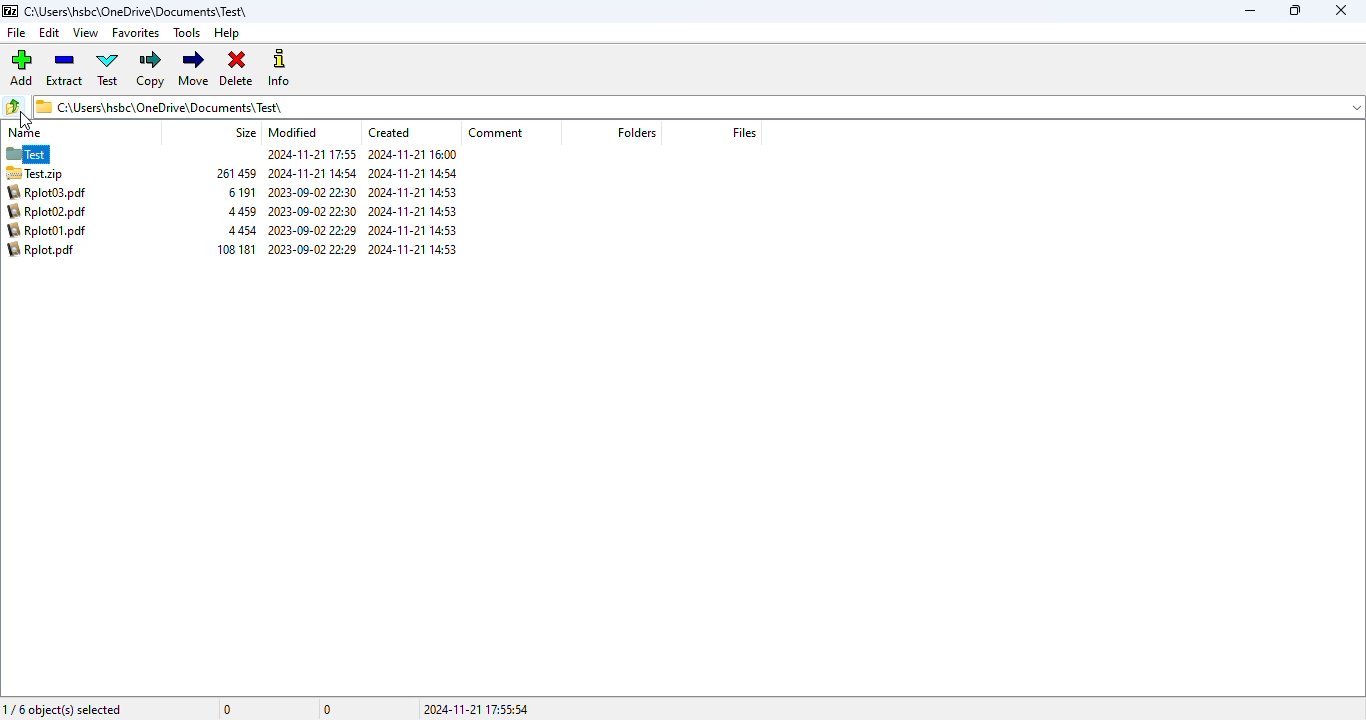 The image size is (1366, 720). What do you see at coordinates (108, 69) in the screenshot?
I see `test` at bounding box center [108, 69].